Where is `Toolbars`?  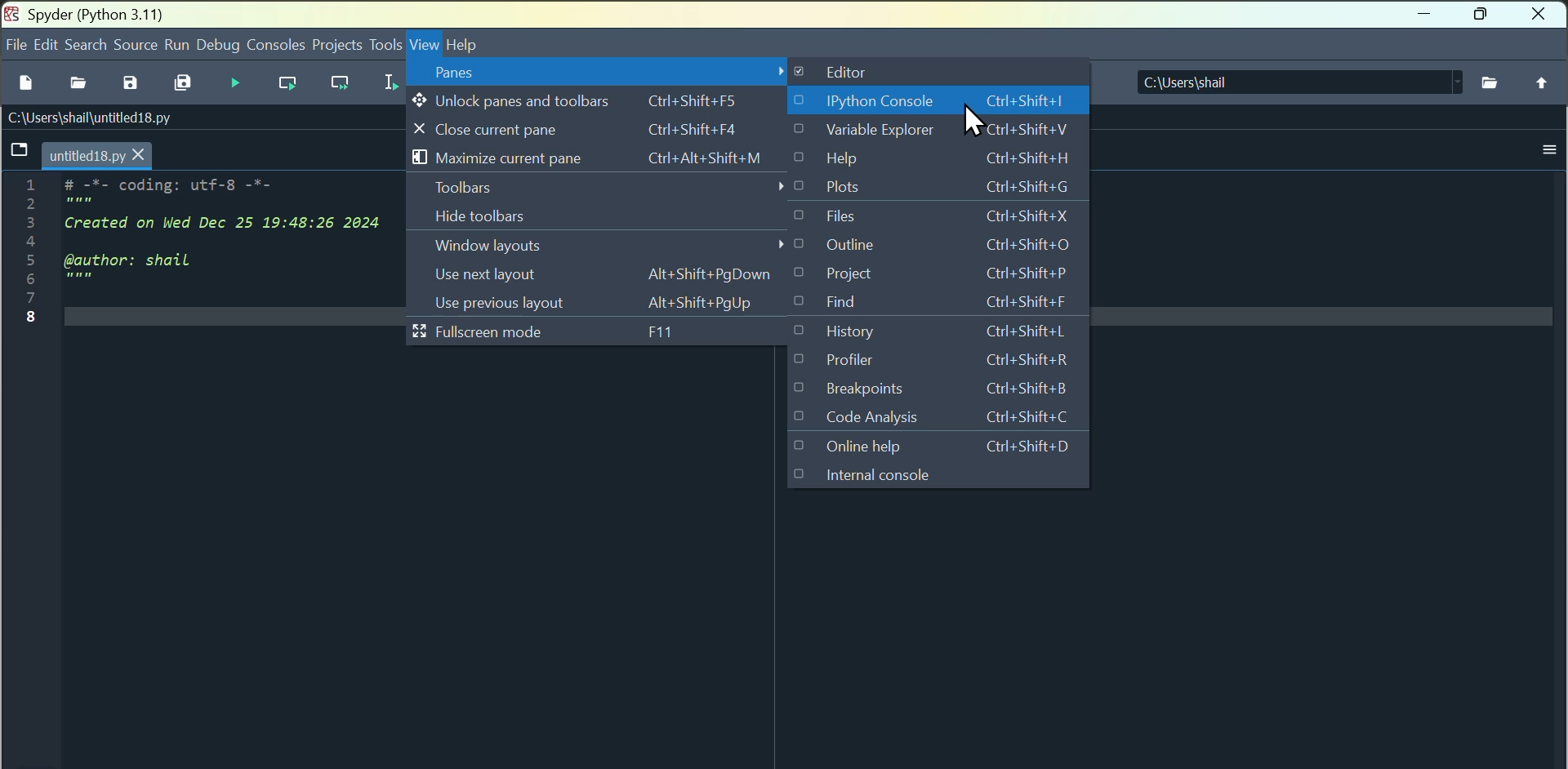 Toolbars is located at coordinates (592, 186).